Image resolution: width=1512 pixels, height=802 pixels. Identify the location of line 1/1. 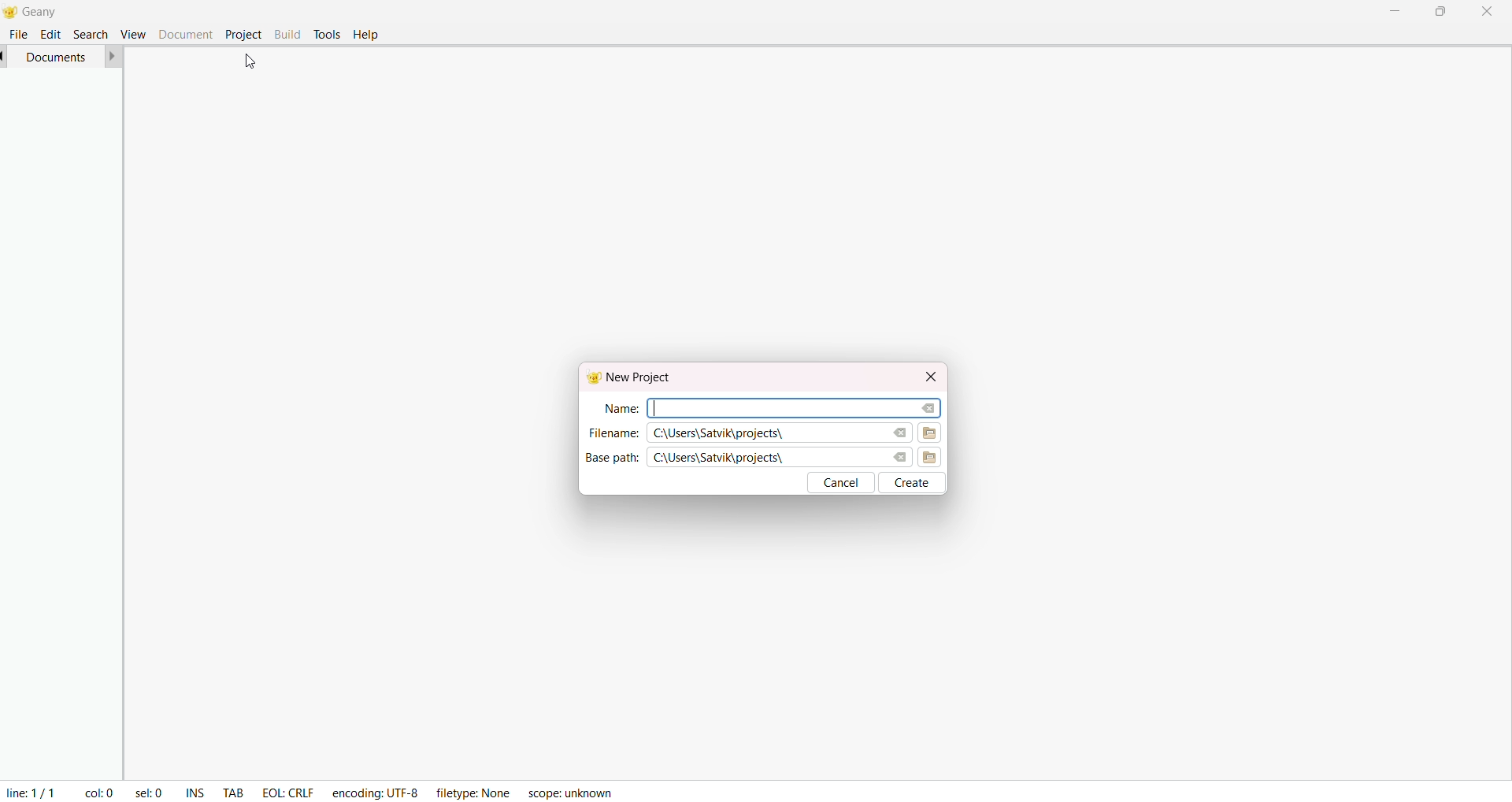
(29, 790).